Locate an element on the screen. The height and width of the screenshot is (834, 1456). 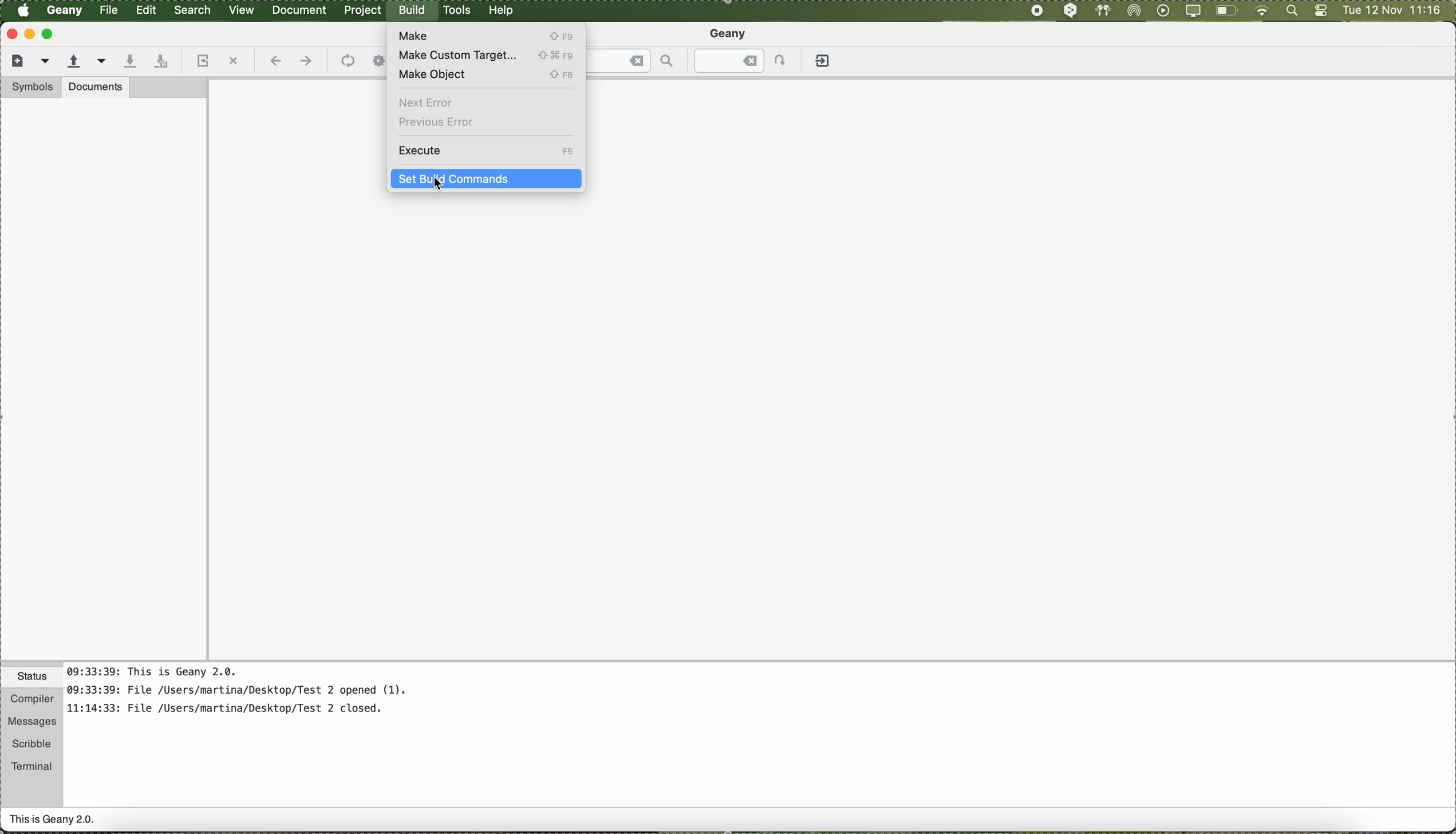
compiler is located at coordinates (31, 700).